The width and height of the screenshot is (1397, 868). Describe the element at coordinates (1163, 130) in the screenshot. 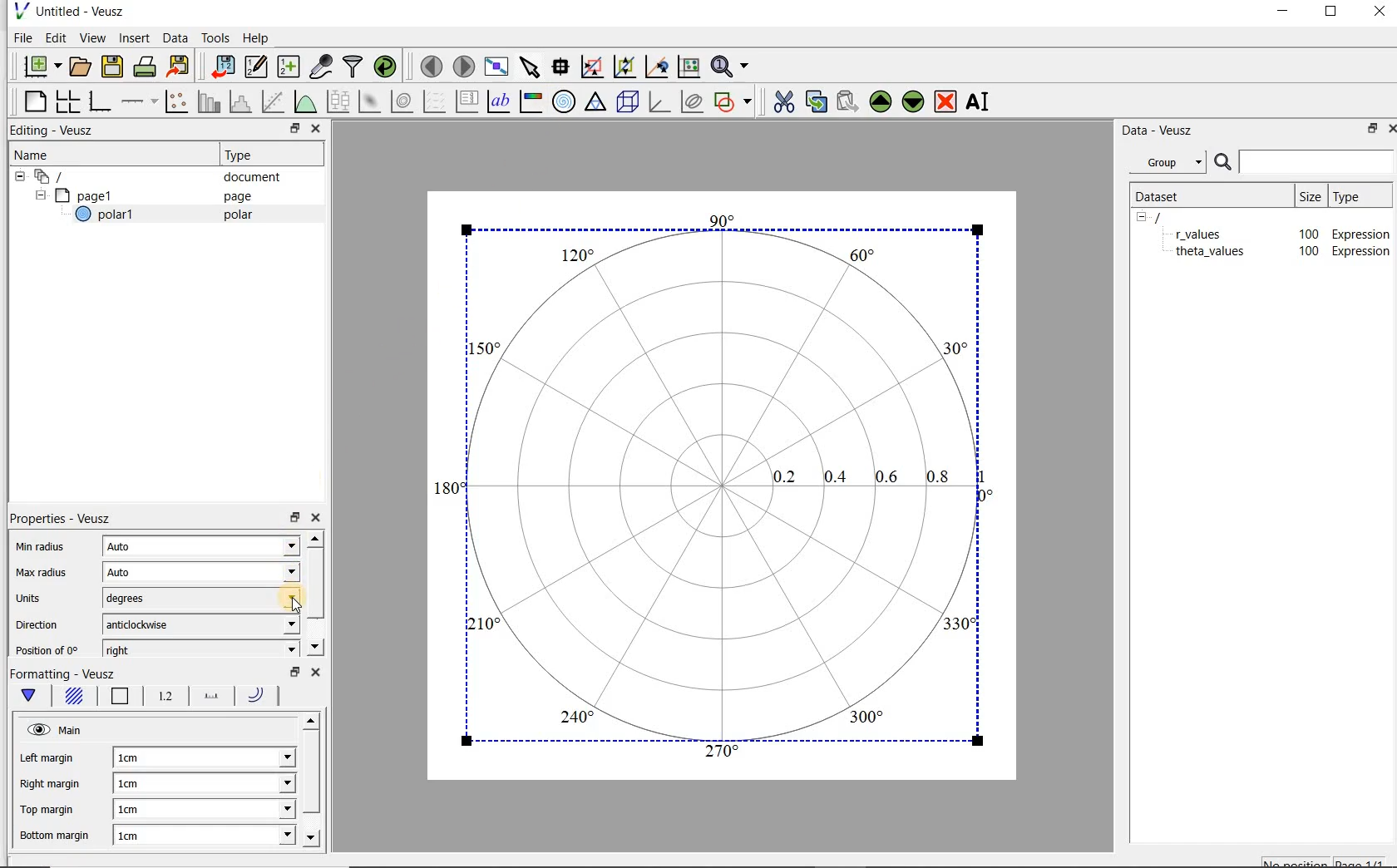

I see `Data - Veusz` at that location.